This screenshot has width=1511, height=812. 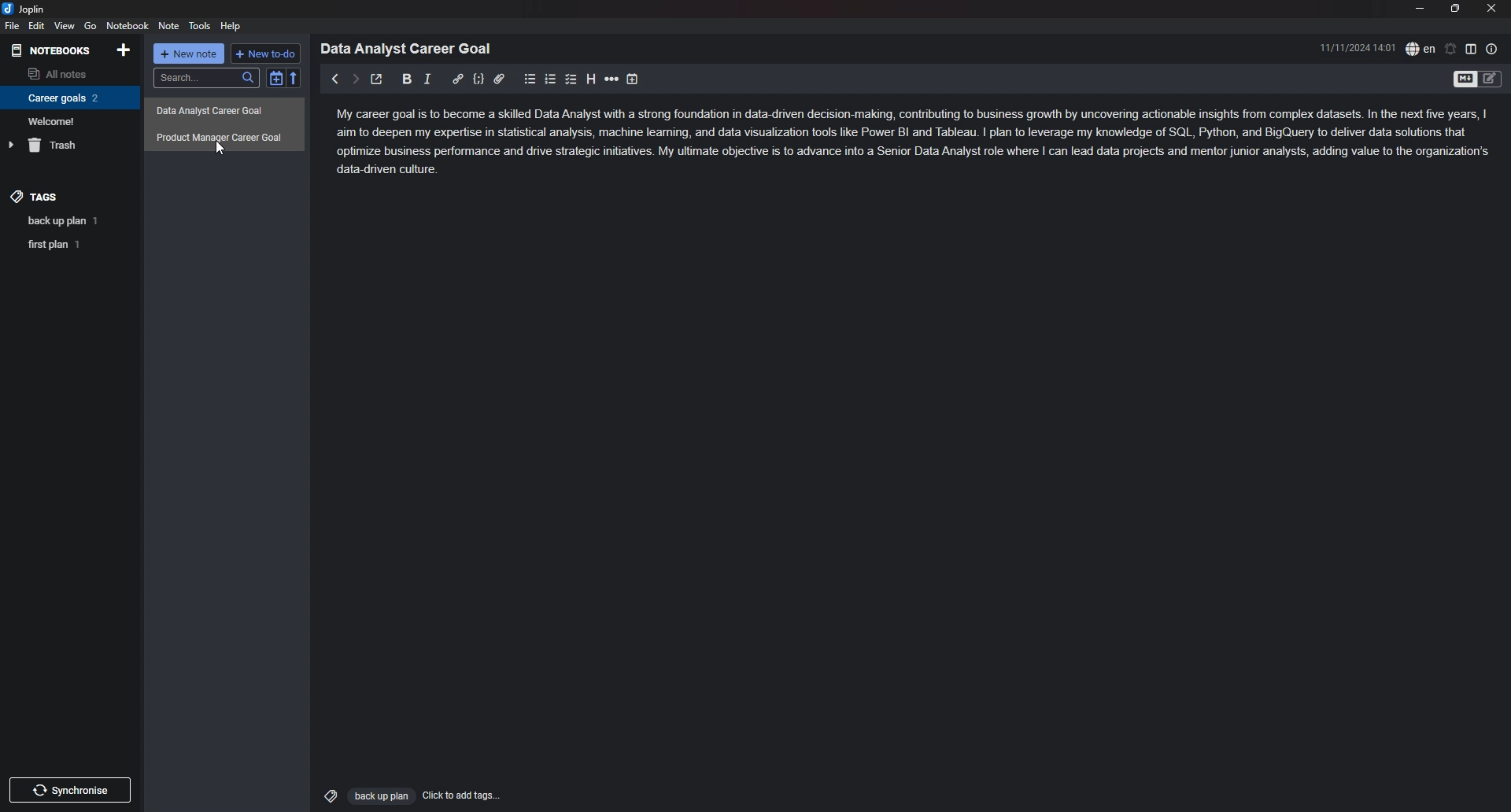 I want to click on horizontal rule, so click(x=611, y=79).